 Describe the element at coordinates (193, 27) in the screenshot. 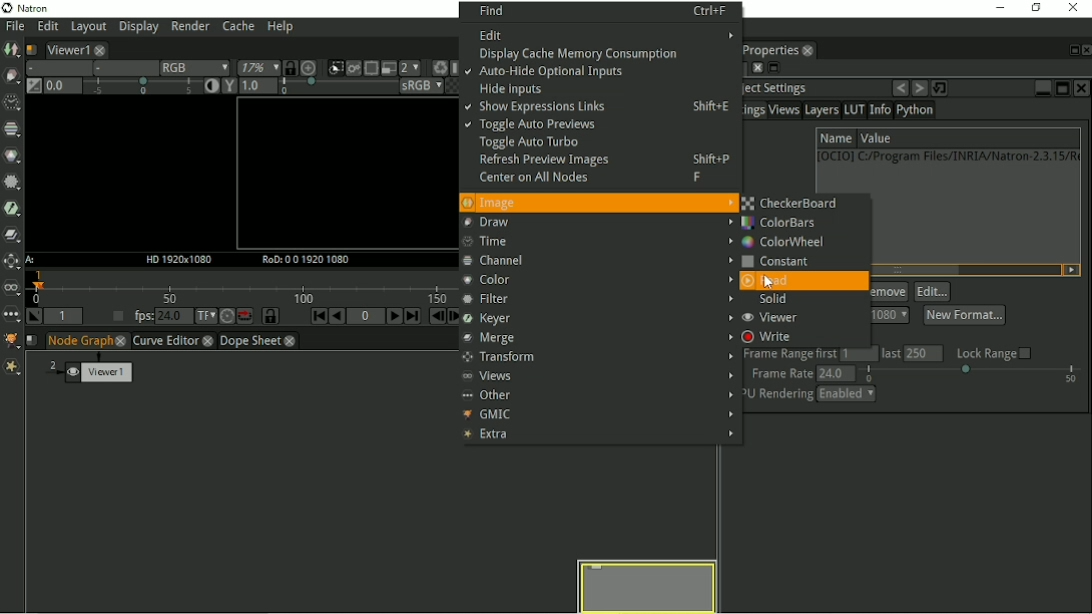

I see `Render` at that location.